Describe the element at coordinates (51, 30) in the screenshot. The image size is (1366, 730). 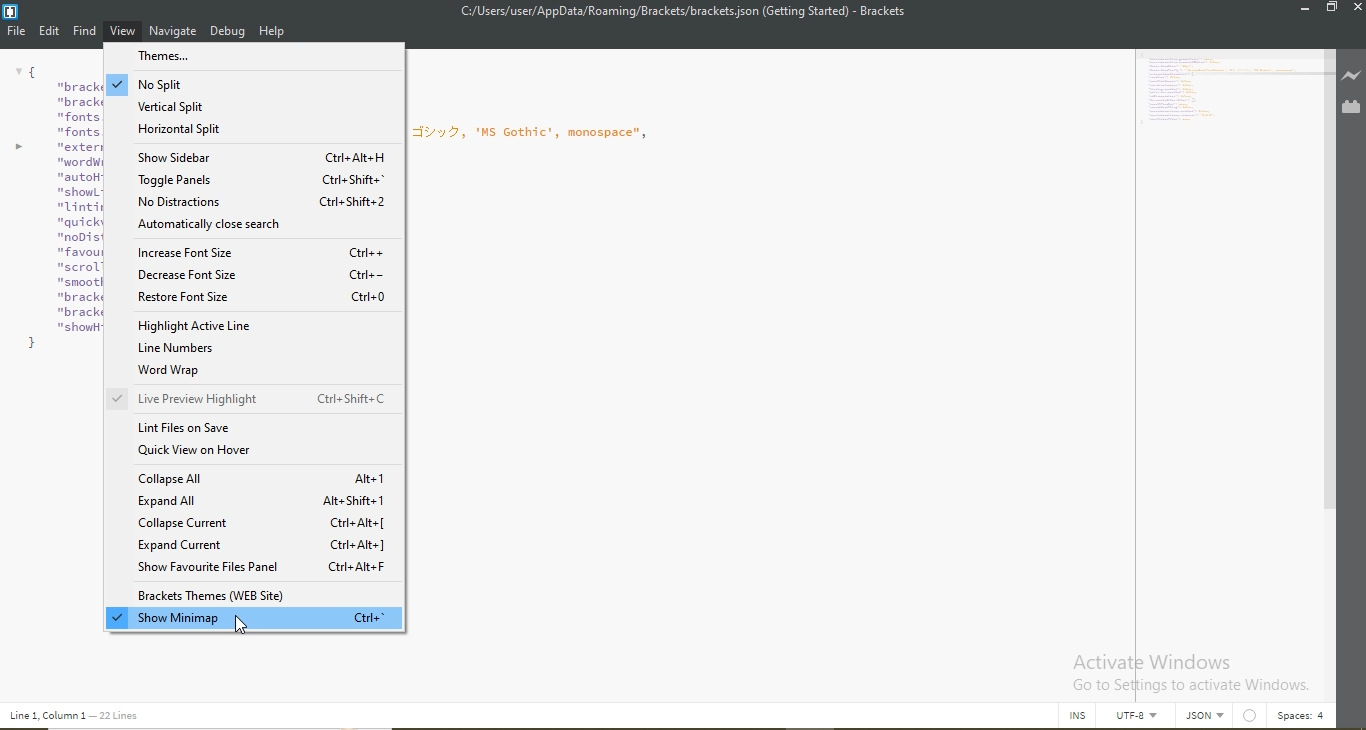
I see `Edit` at that location.